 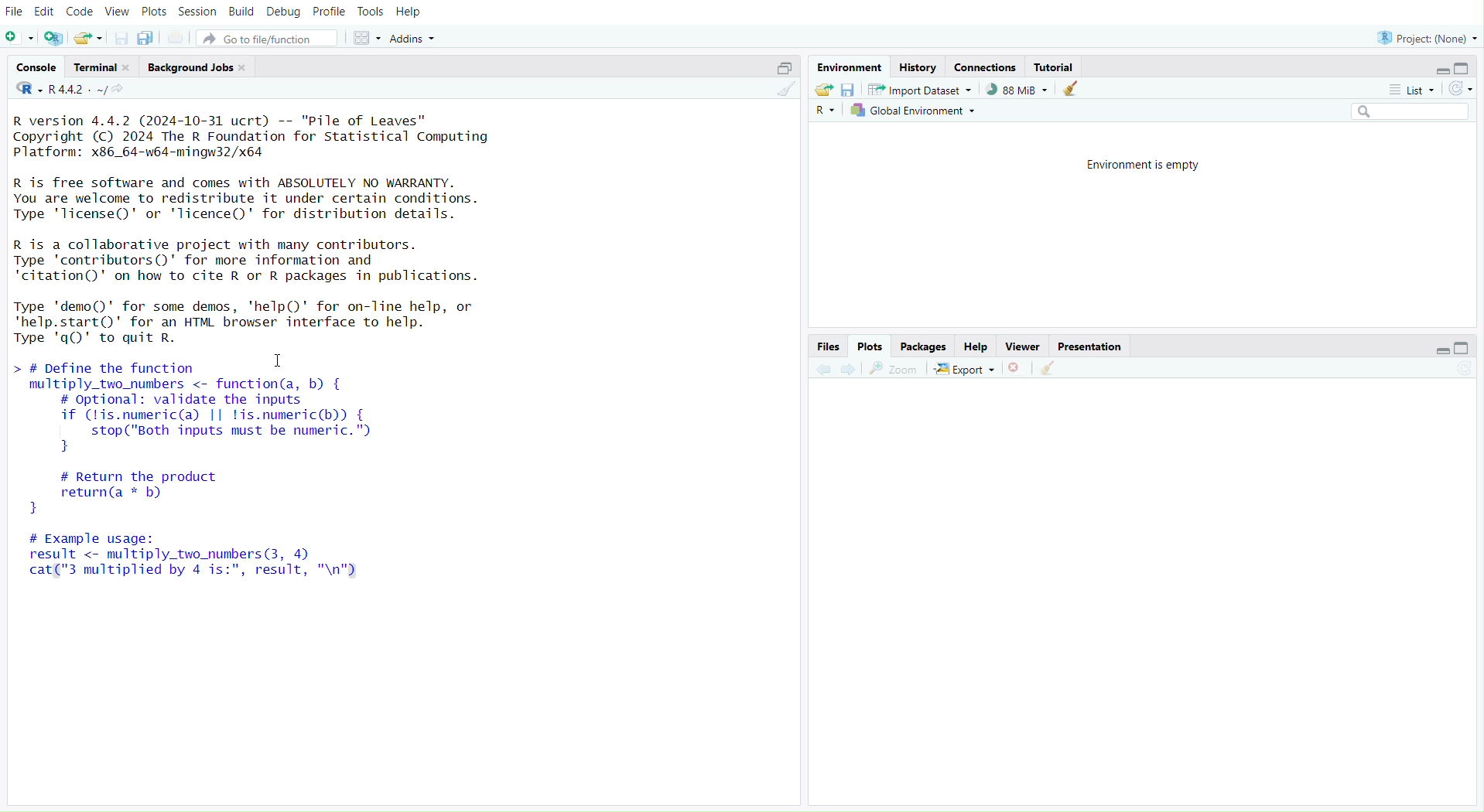 I want to click on Presentation, so click(x=1090, y=347).